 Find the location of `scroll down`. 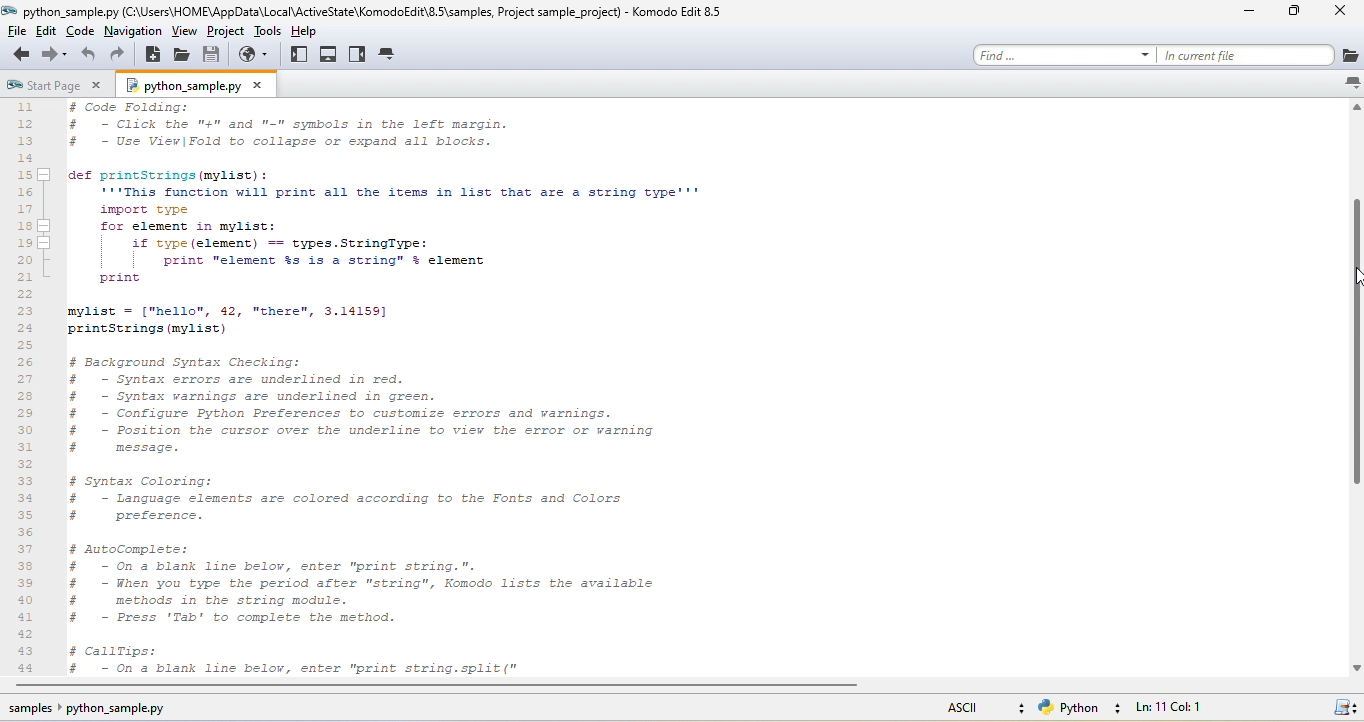

scroll down is located at coordinates (1355, 667).